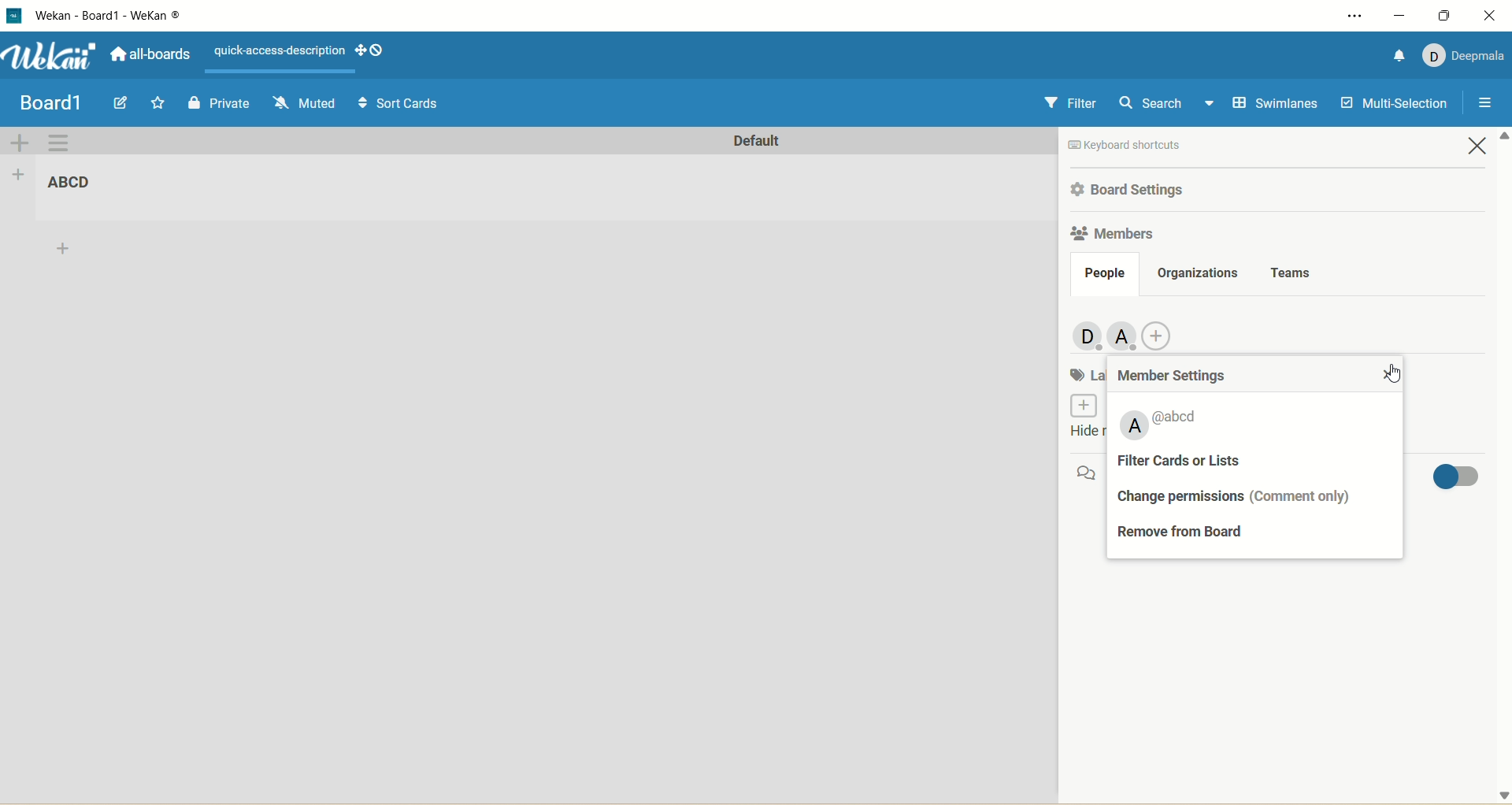  I want to click on all boards, so click(150, 54).